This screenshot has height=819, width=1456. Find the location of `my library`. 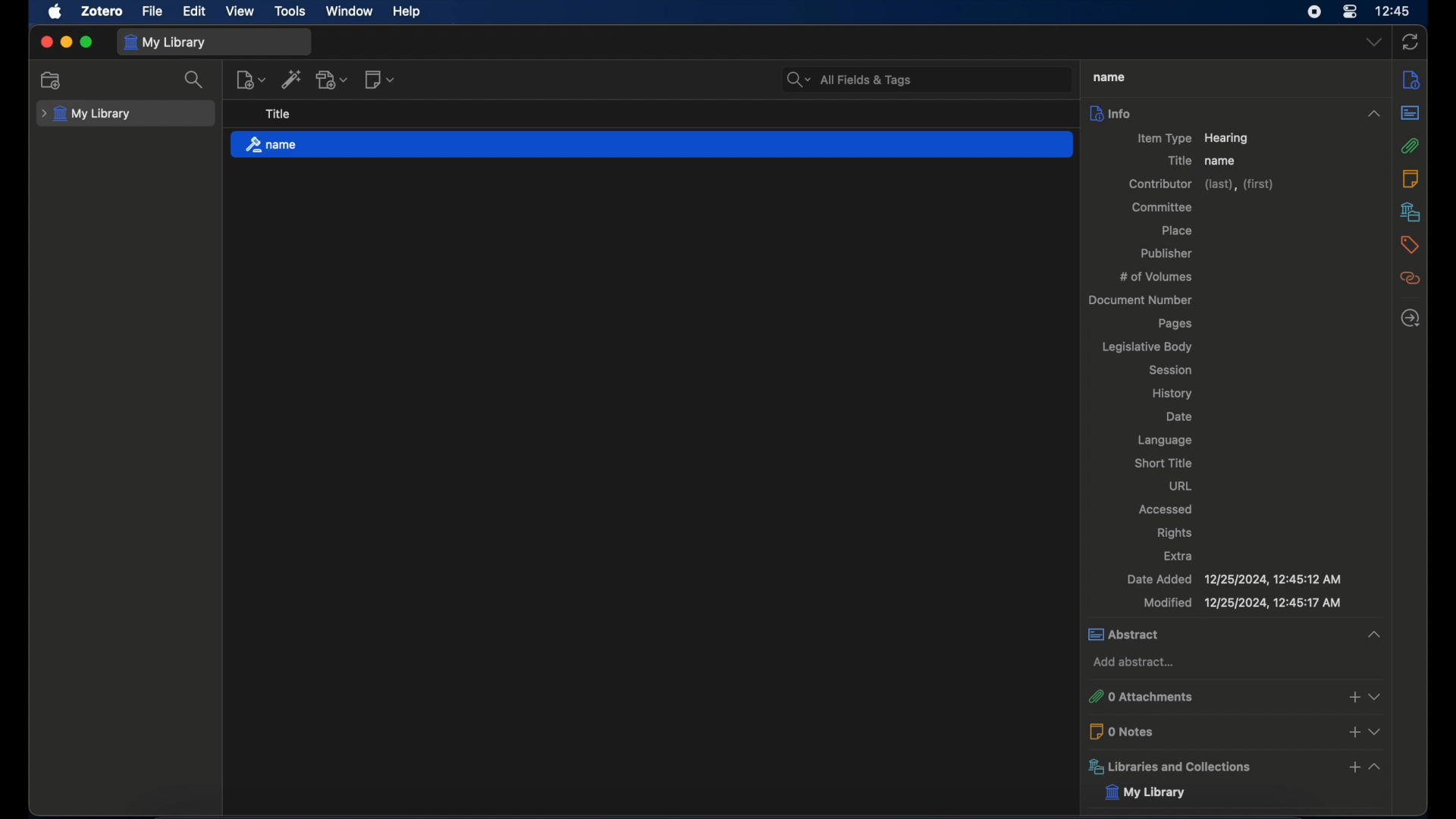

my library is located at coordinates (86, 115).